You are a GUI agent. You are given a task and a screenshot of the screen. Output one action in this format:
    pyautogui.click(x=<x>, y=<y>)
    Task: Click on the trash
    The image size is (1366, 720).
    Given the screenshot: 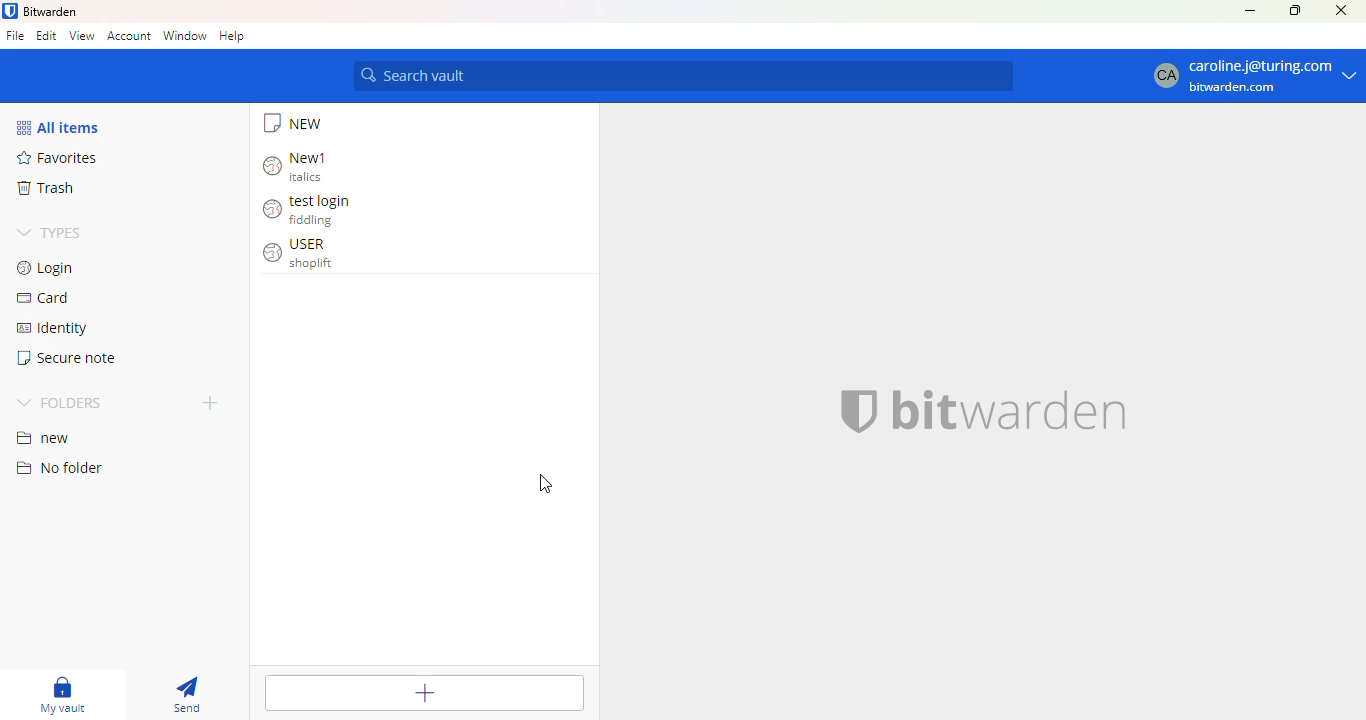 What is the action you would take?
    pyautogui.click(x=44, y=188)
    